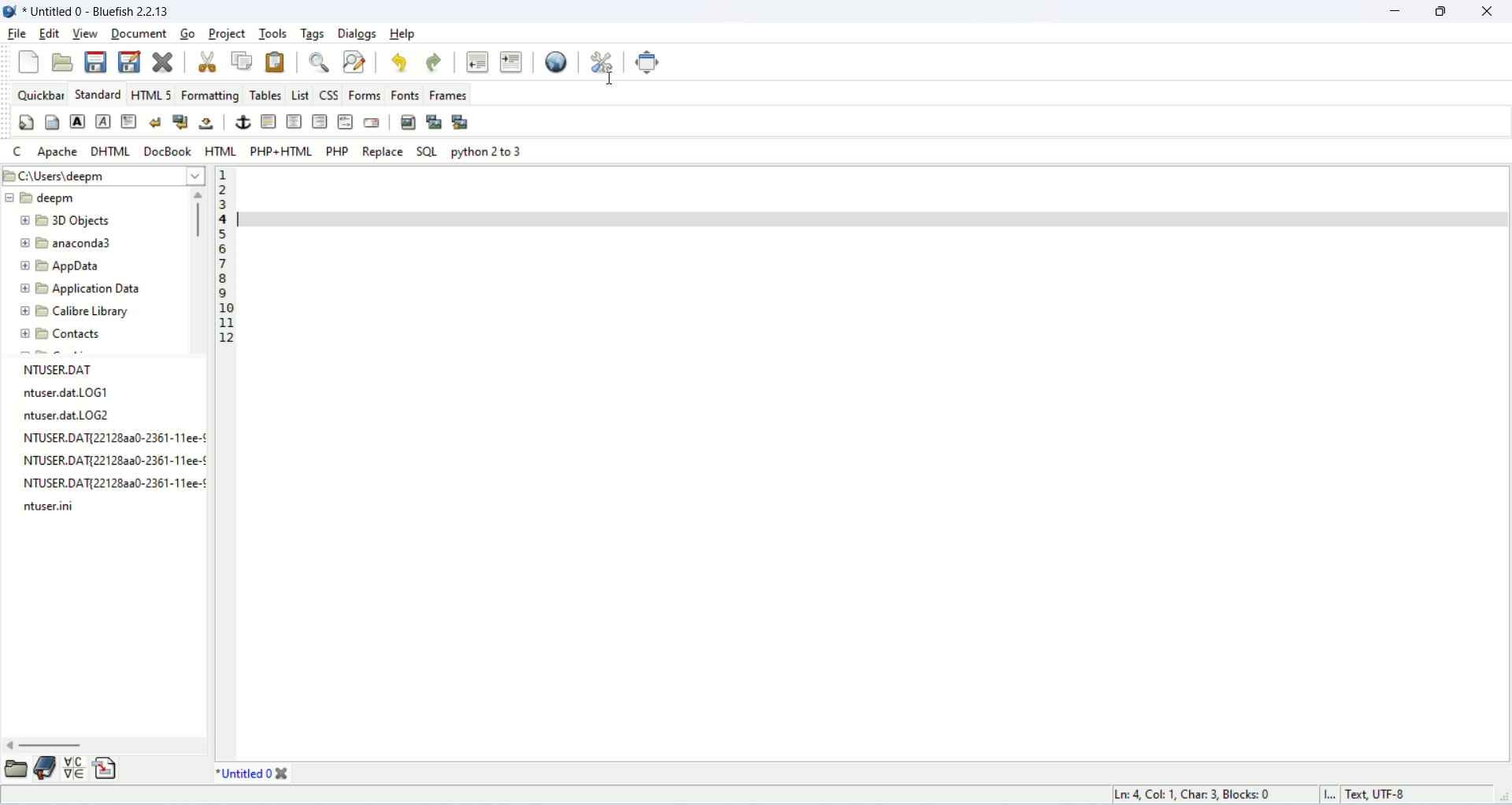 Image resolution: width=1512 pixels, height=805 pixels. Describe the element at coordinates (302, 95) in the screenshot. I see `LIST` at that location.